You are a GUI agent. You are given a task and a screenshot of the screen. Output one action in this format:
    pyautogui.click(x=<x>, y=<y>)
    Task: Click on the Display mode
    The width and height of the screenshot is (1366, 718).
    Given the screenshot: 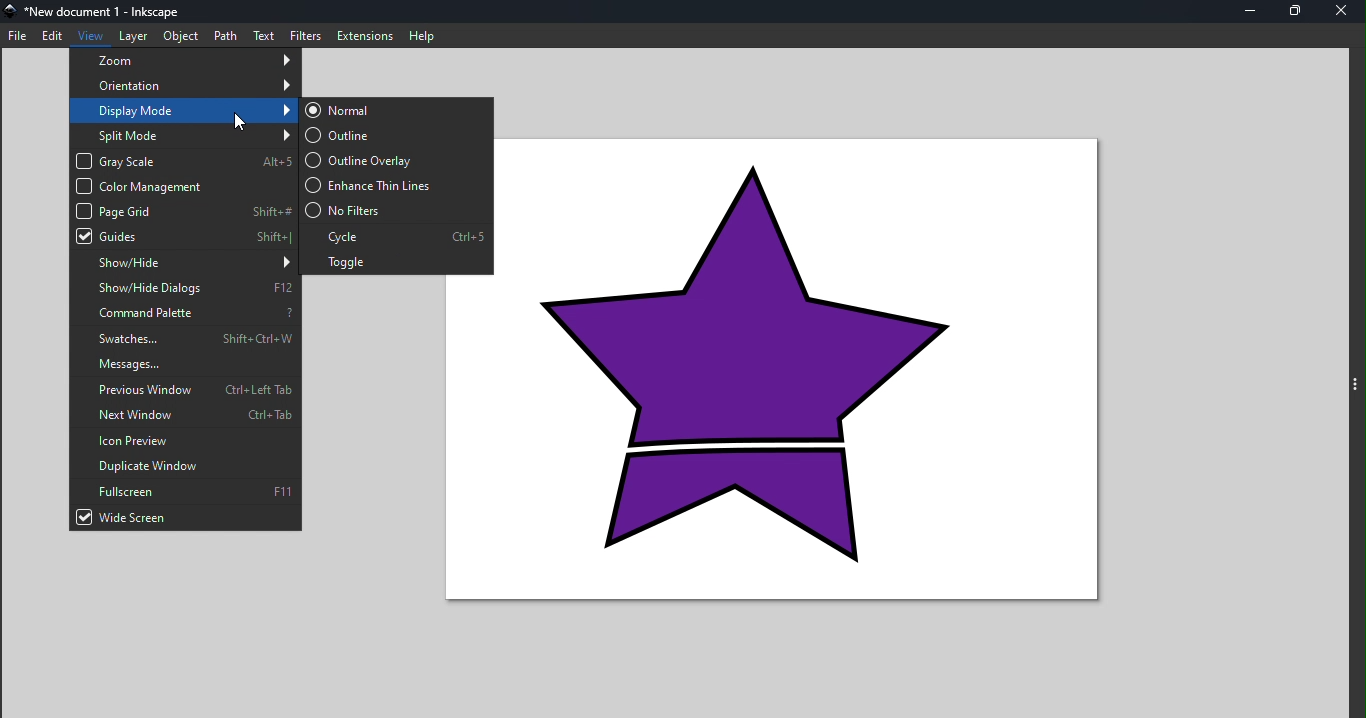 What is the action you would take?
    pyautogui.click(x=187, y=110)
    